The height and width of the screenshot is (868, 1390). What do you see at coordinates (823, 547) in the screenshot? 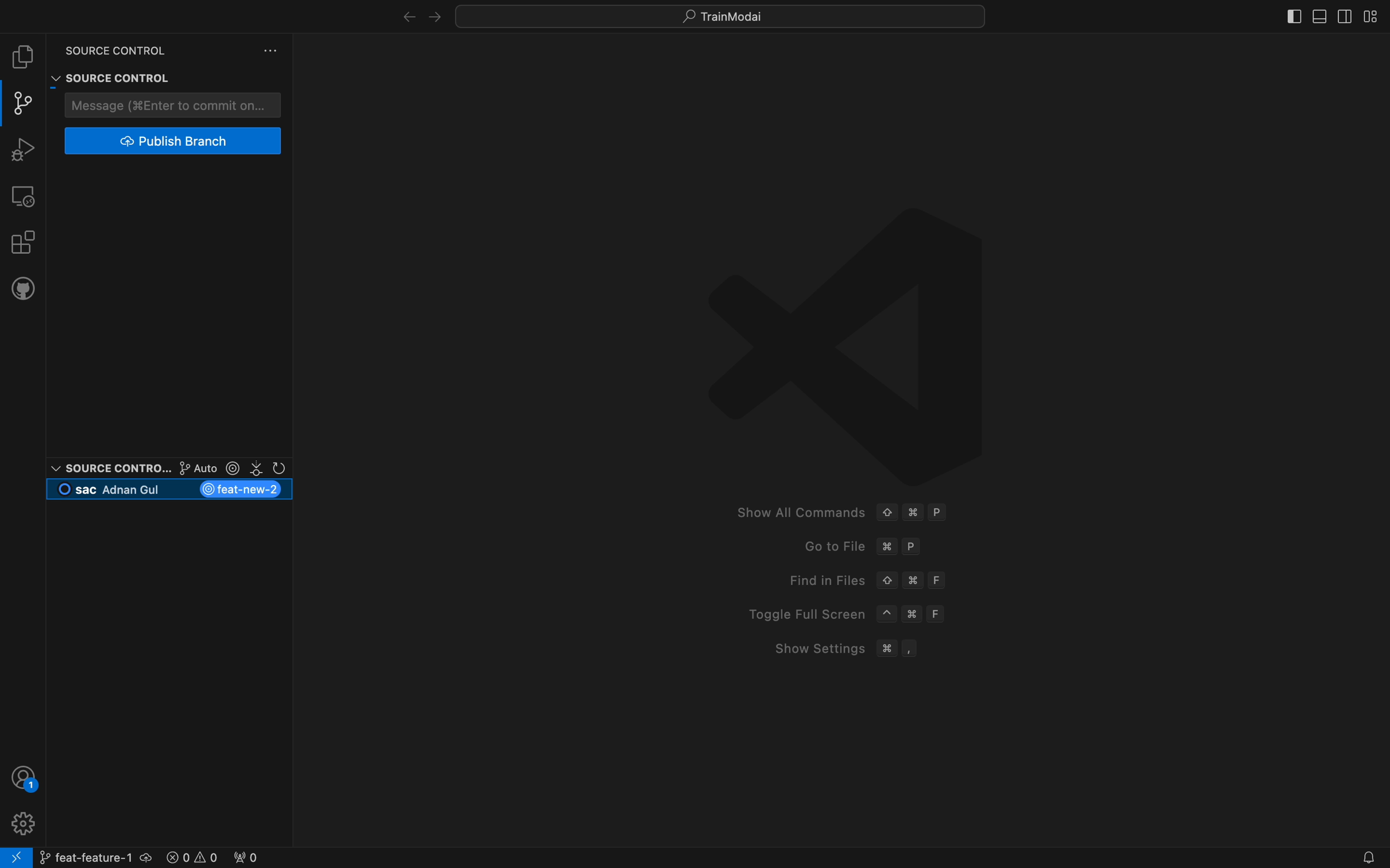
I see `Go to File` at bounding box center [823, 547].